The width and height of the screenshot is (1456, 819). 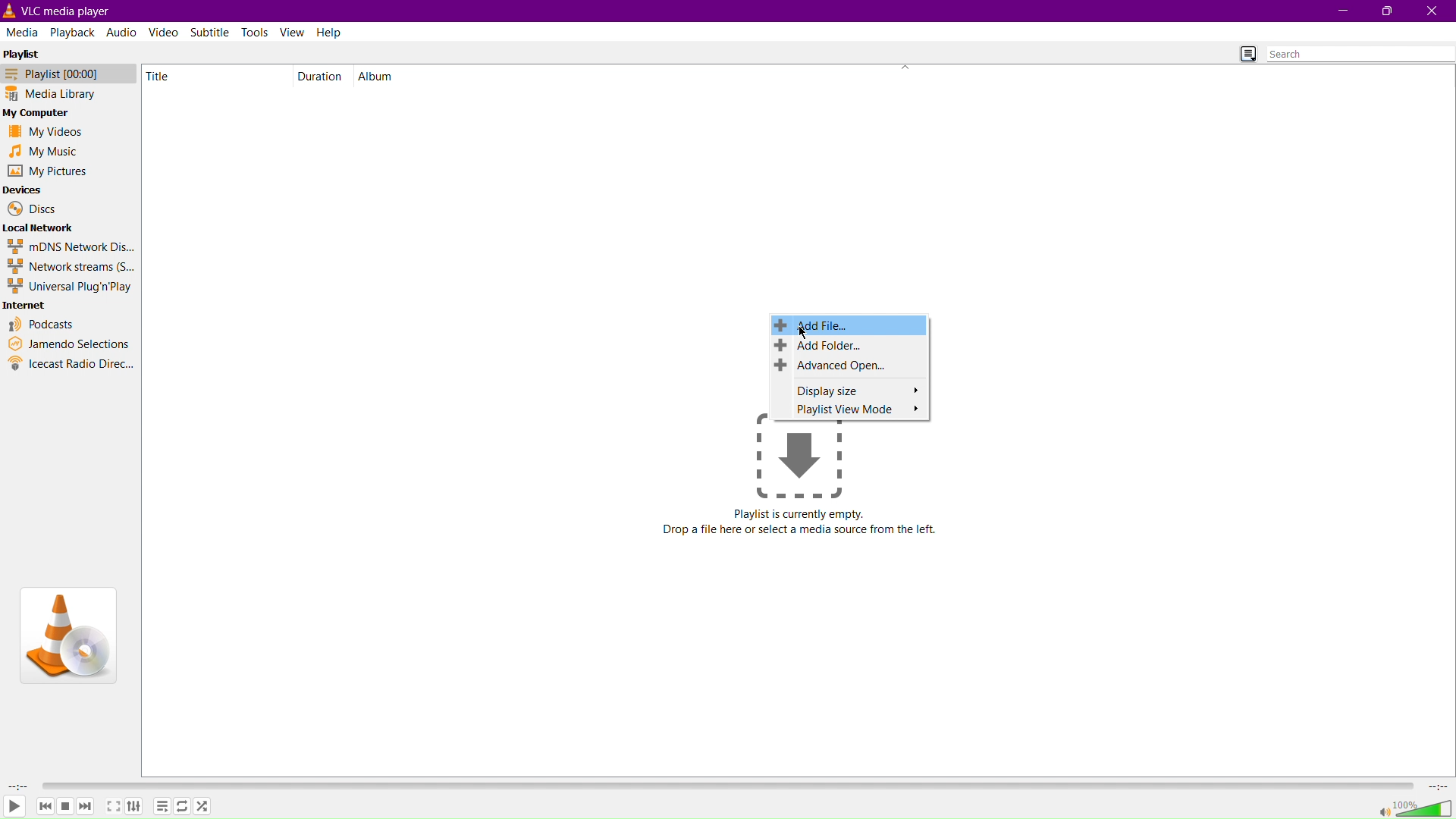 I want to click on Universal Plug'n'Play, so click(x=71, y=287).